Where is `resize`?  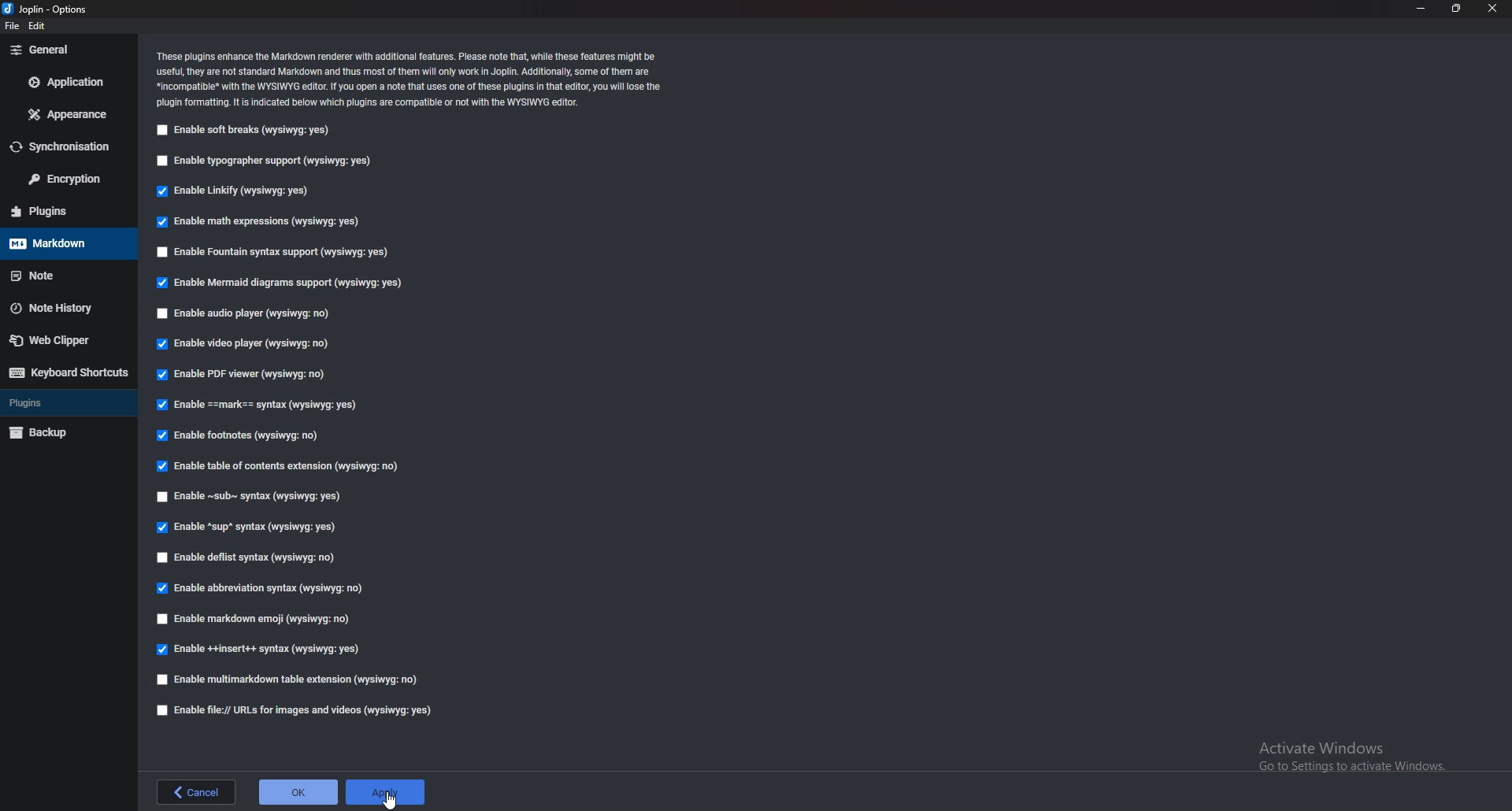 resize is located at coordinates (1455, 9).